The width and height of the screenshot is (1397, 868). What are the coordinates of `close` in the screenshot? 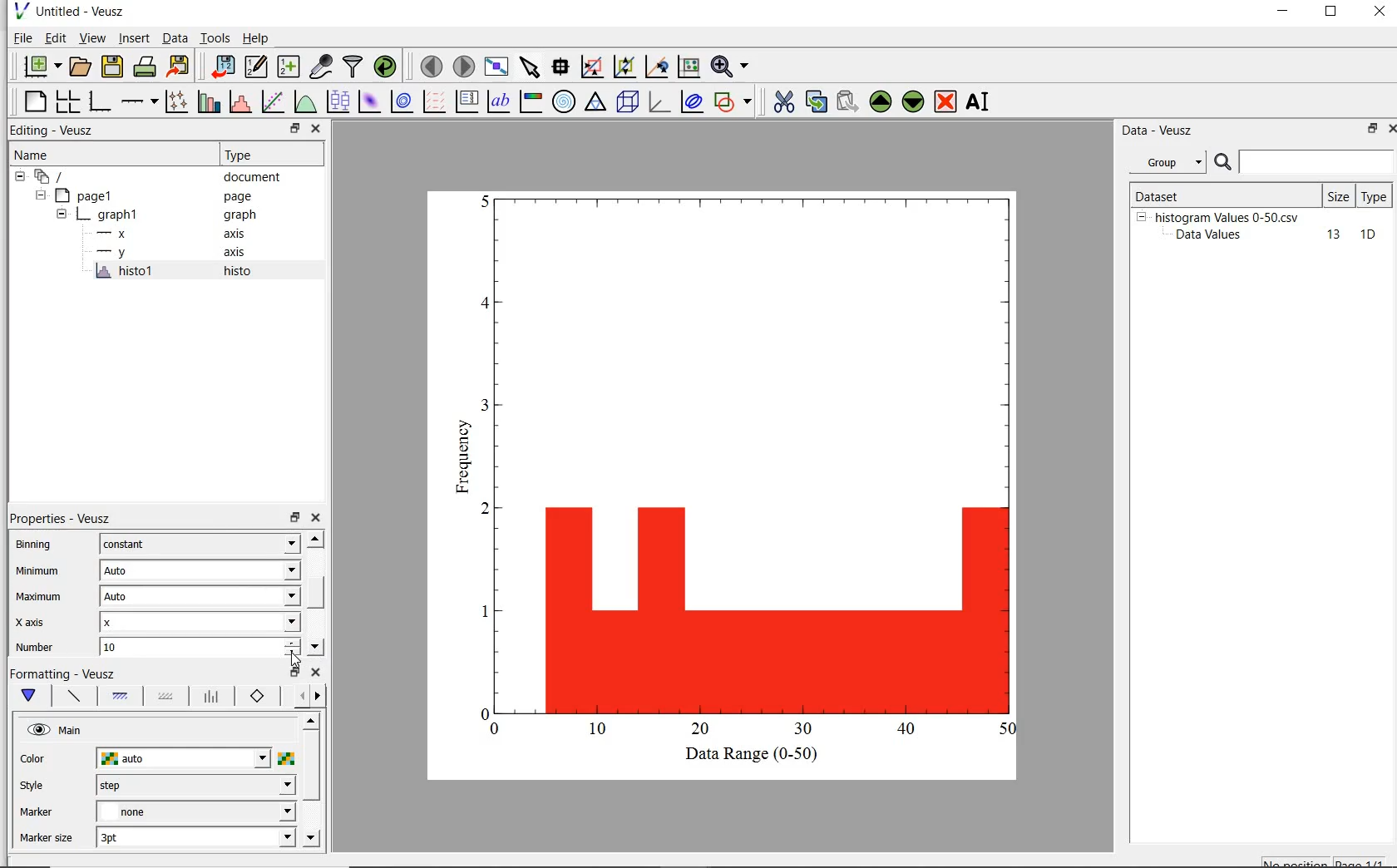 It's located at (315, 673).